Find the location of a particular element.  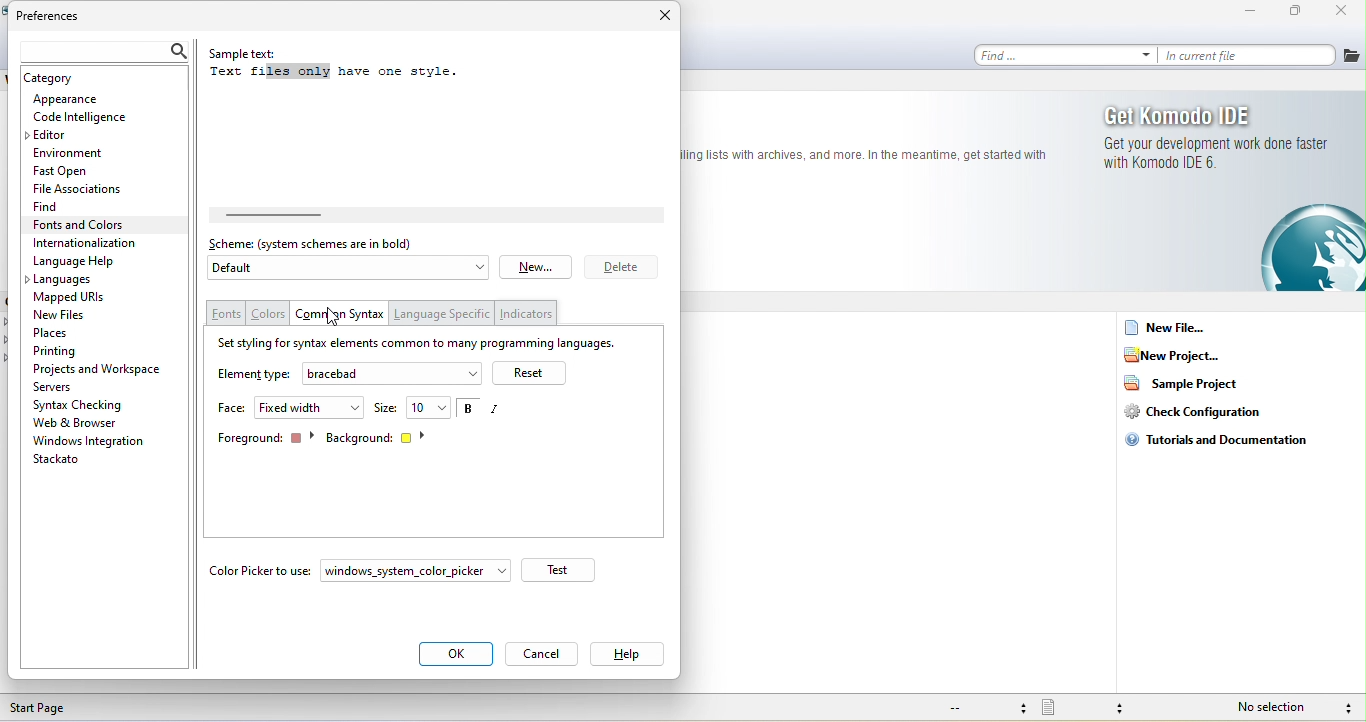

set styling for syntax elements common to many programming languages is located at coordinates (423, 342).